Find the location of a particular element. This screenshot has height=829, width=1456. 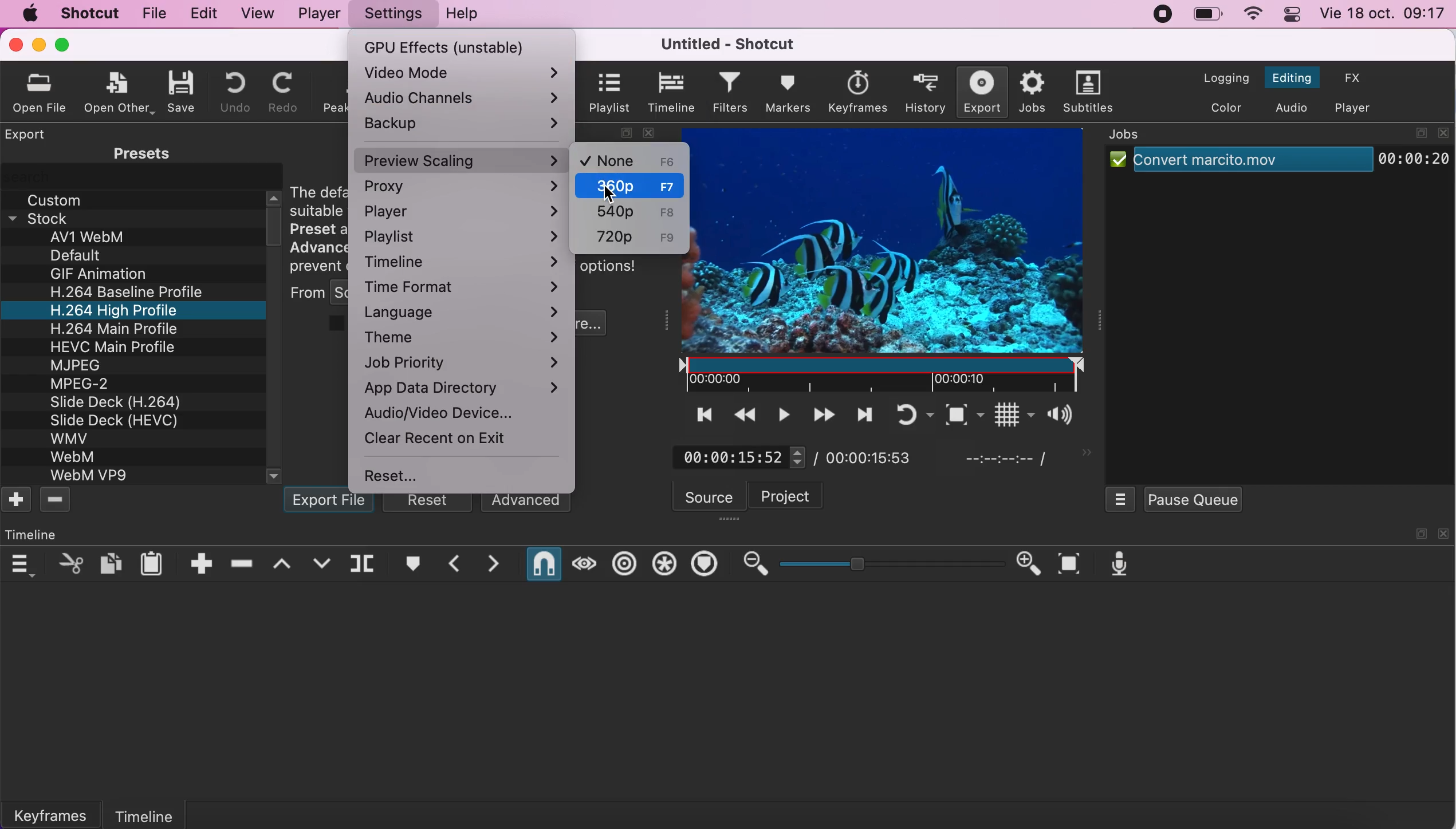

theme is located at coordinates (463, 335).